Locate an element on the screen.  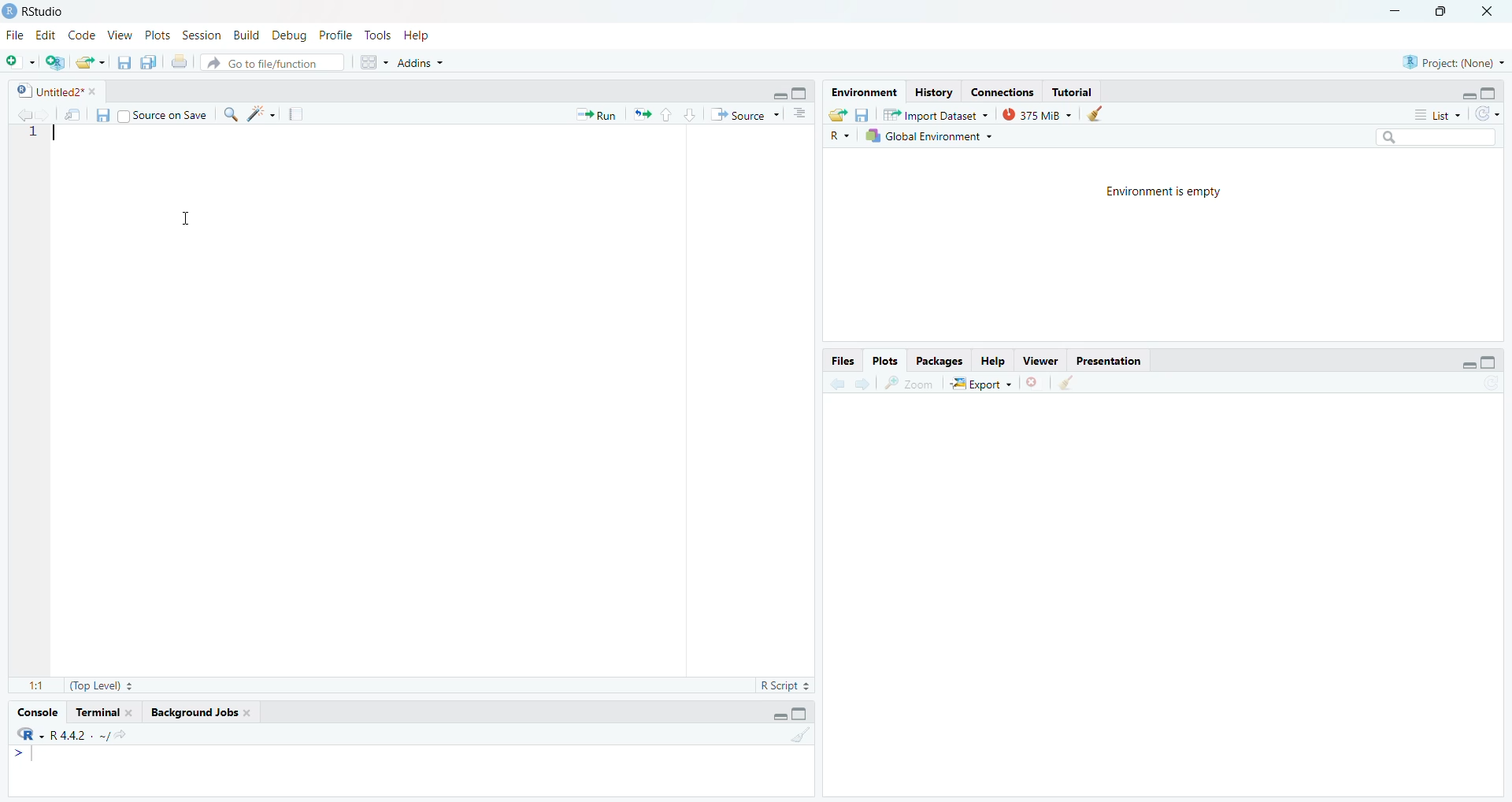
minimize is located at coordinates (1395, 13).